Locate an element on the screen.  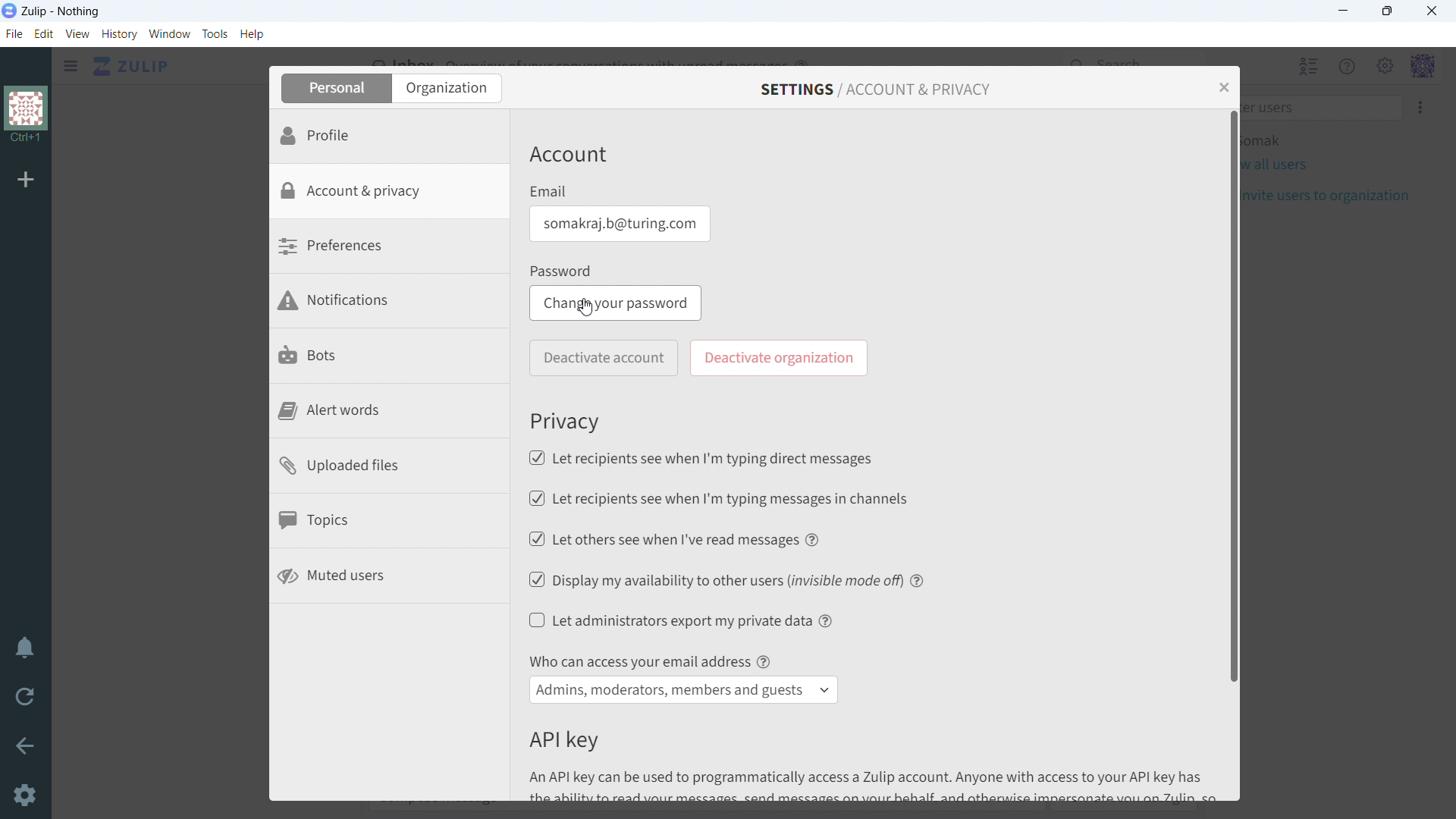
tools is located at coordinates (215, 33).